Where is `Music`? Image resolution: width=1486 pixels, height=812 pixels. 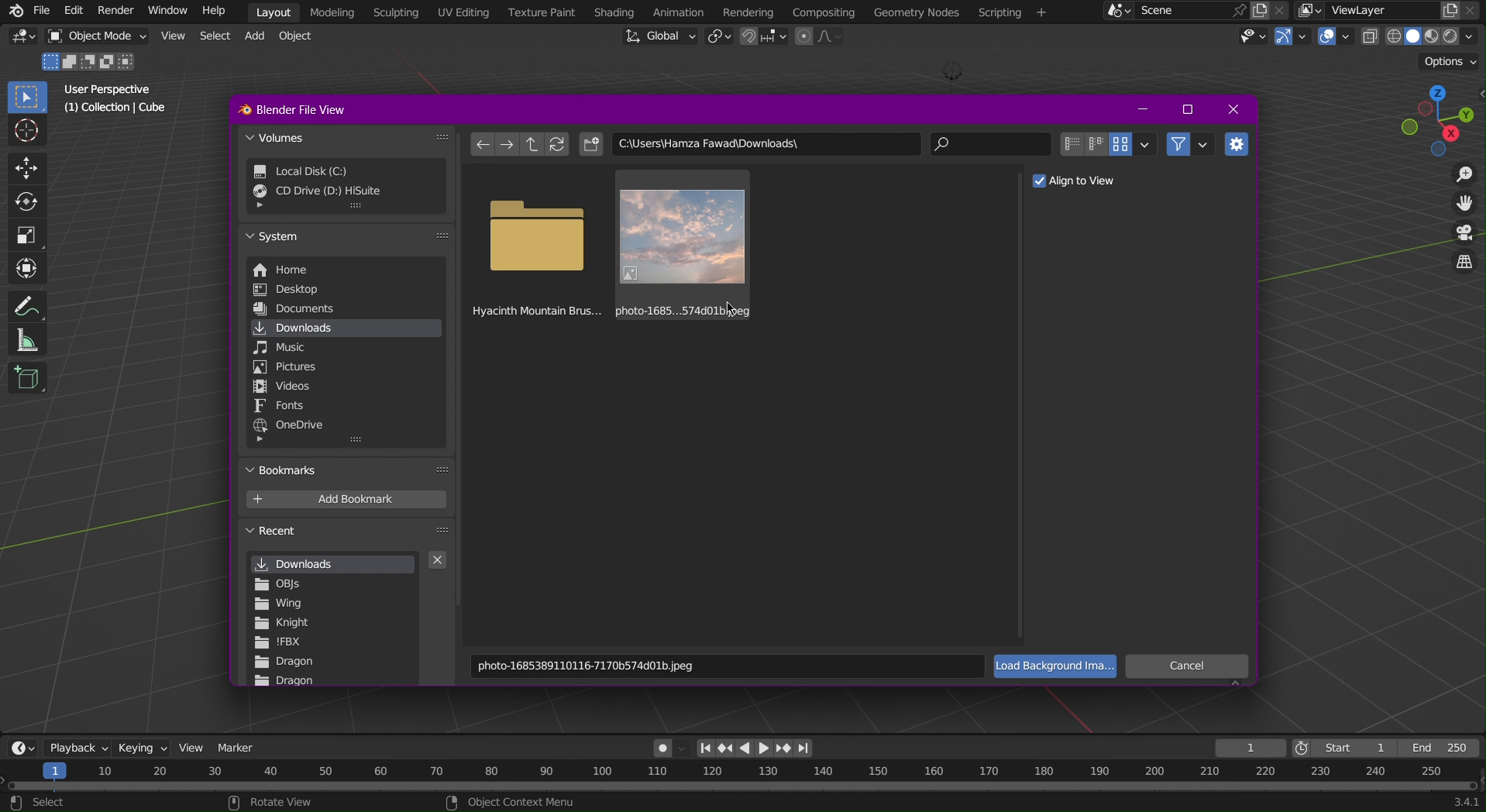
Music is located at coordinates (284, 347).